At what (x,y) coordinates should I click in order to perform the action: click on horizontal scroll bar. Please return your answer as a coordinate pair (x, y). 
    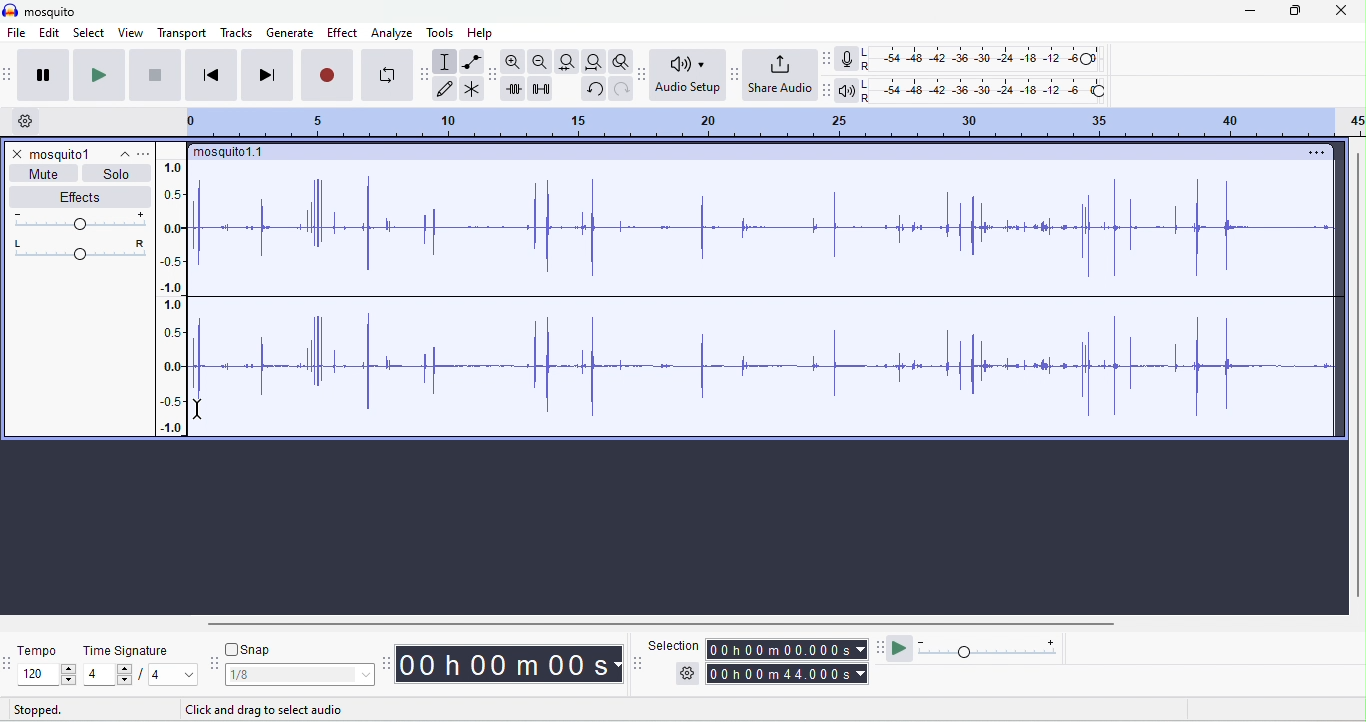
    Looking at the image, I should click on (630, 624).